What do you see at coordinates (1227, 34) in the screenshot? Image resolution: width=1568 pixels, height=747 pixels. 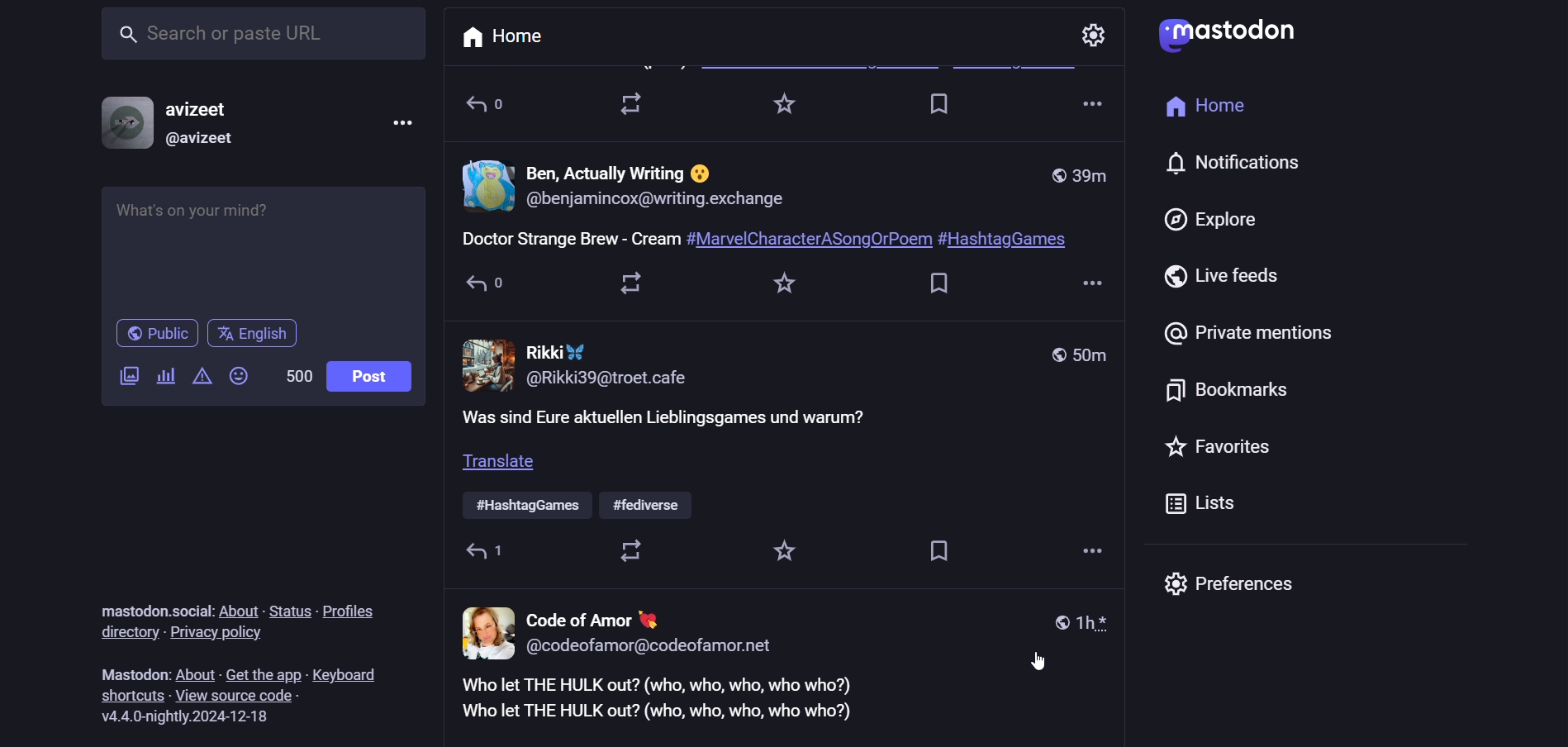 I see `logo` at bounding box center [1227, 34].